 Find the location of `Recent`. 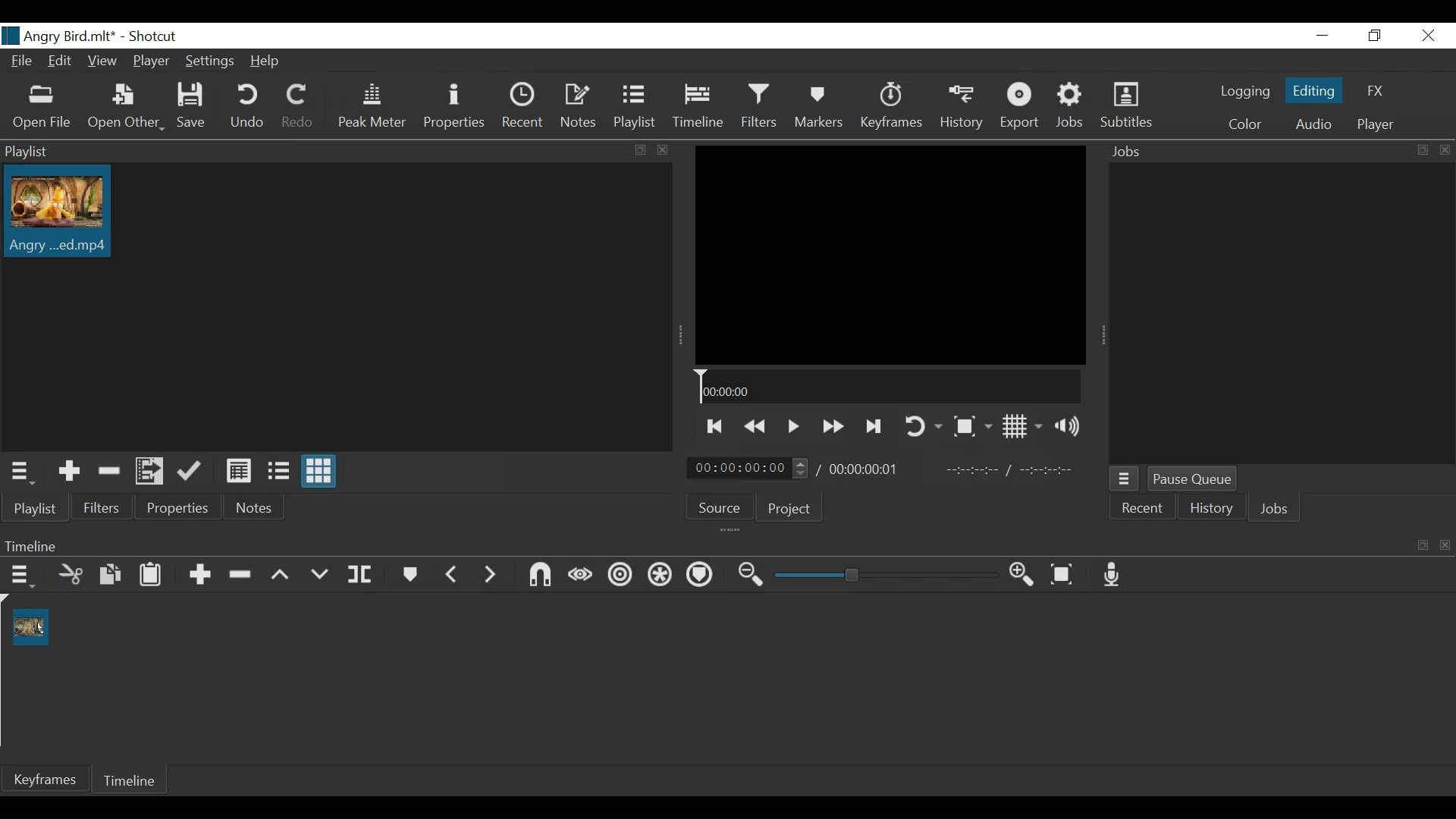

Recent is located at coordinates (1144, 507).